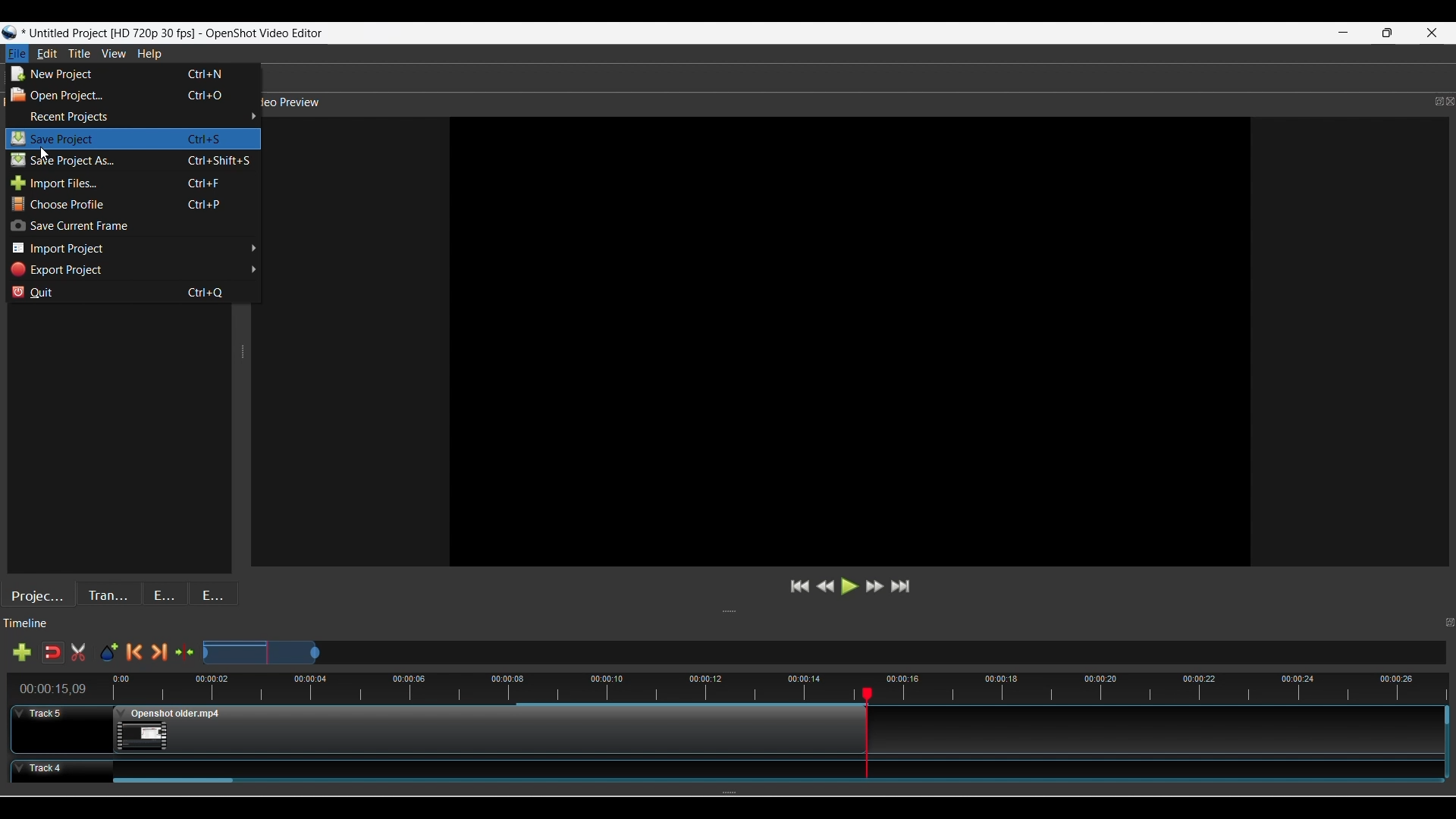  What do you see at coordinates (159, 652) in the screenshot?
I see `Next marker` at bounding box center [159, 652].